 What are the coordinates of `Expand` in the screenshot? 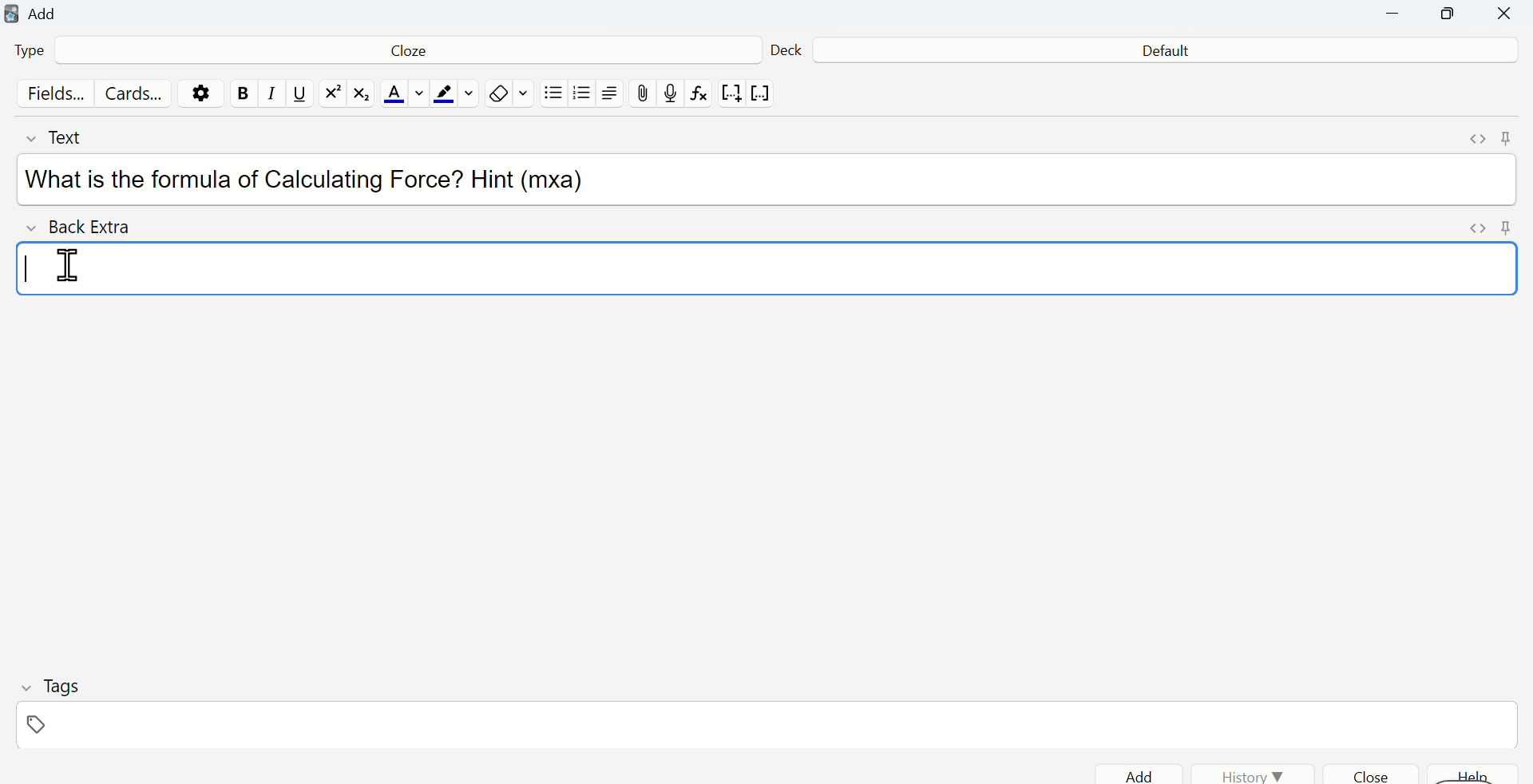 It's located at (1478, 138).